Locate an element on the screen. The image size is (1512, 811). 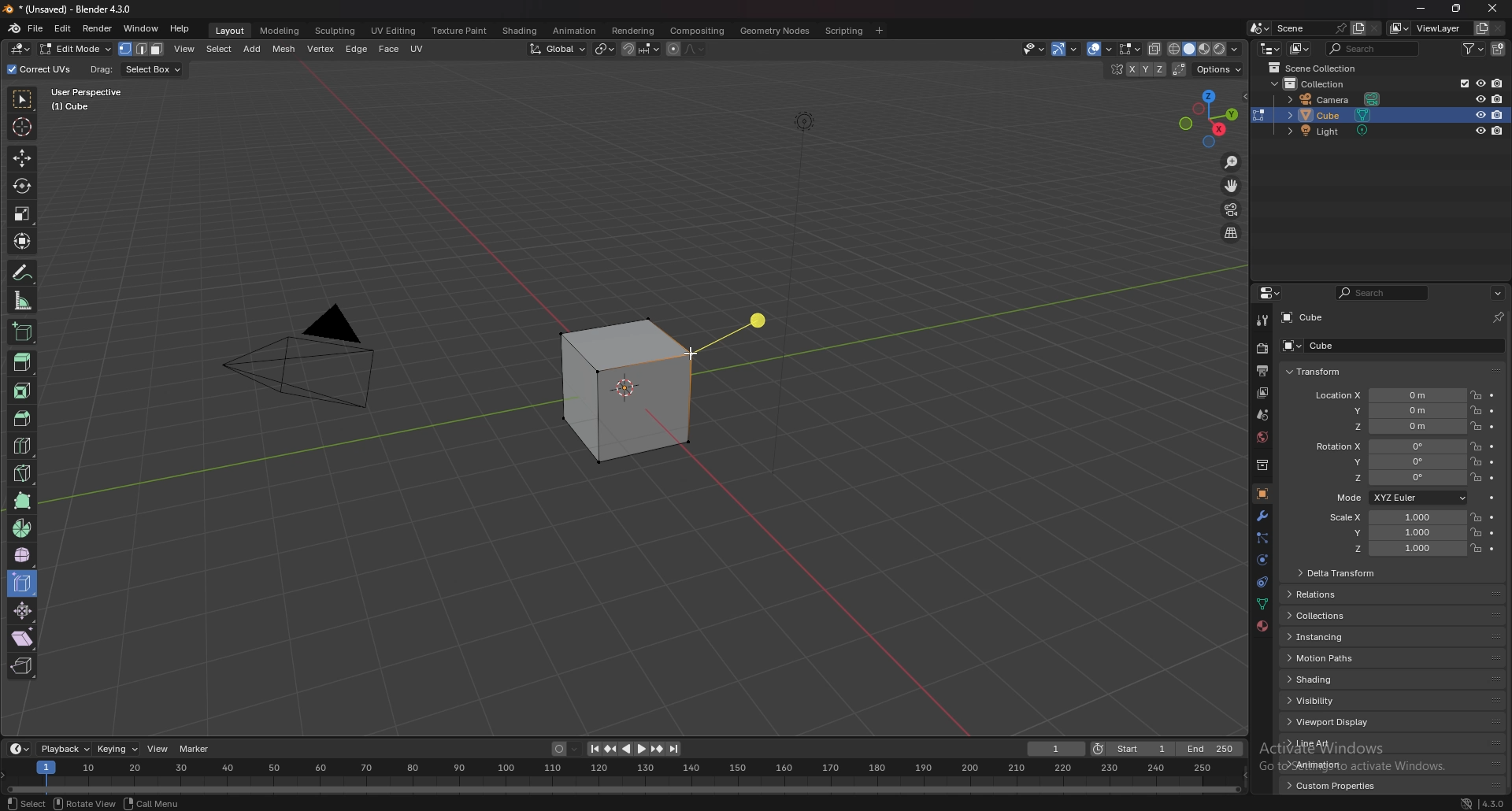
object mode is located at coordinates (72, 49).